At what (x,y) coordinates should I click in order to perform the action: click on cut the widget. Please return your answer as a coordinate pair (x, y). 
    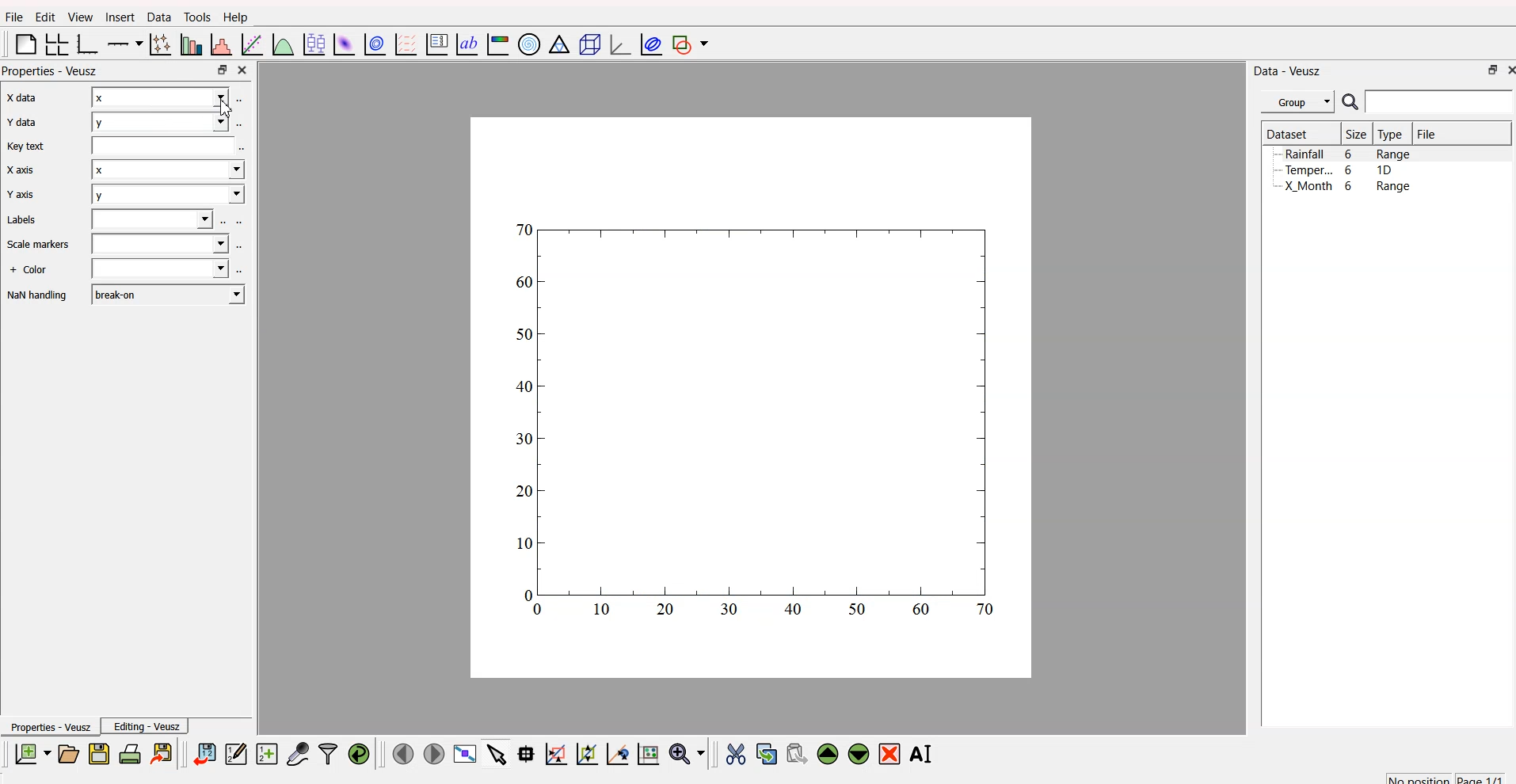
    Looking at the image, I should click on (734, 753).